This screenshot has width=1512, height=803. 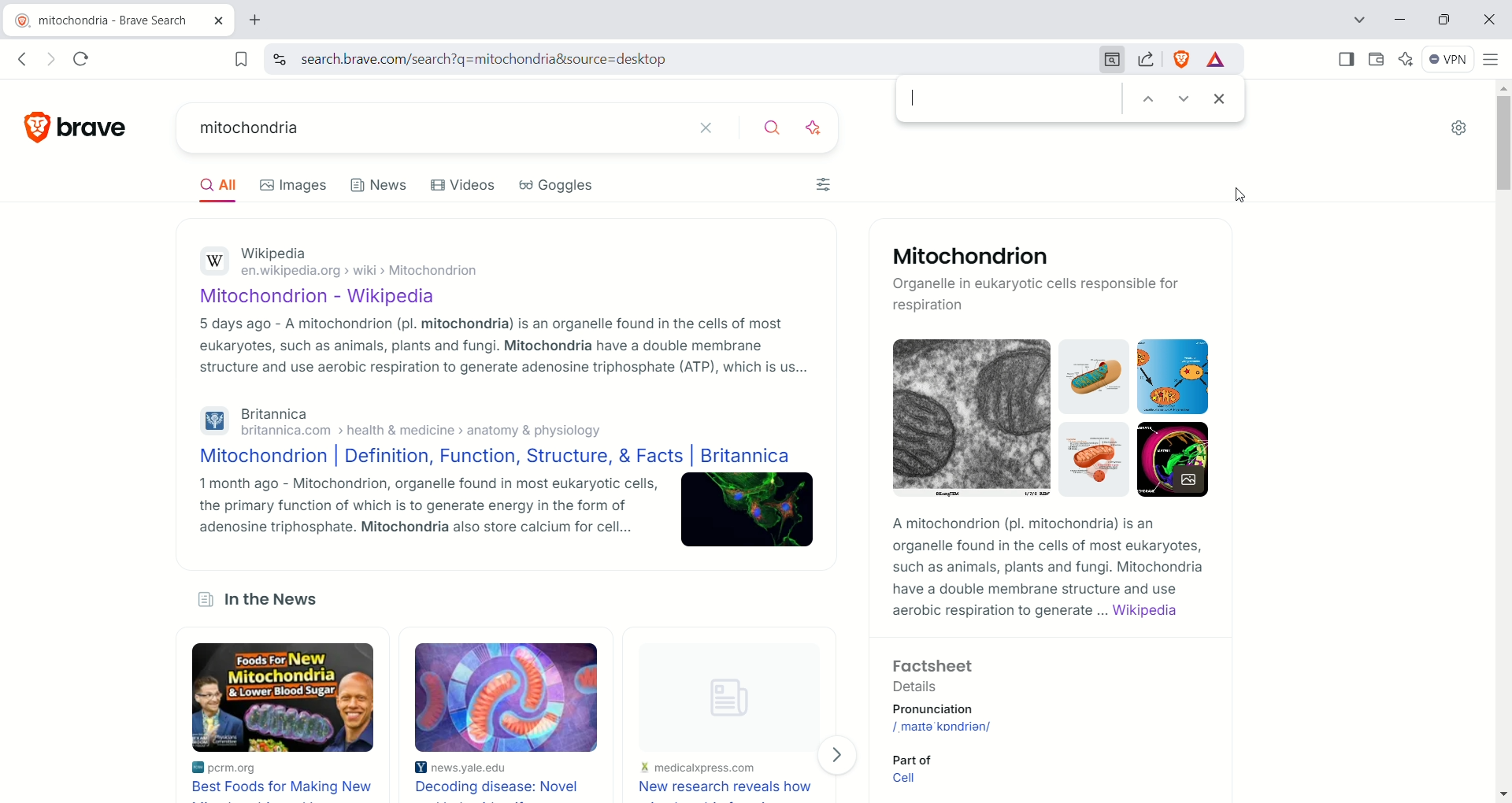 I want to click on Image, so click(x=1095, y=379).